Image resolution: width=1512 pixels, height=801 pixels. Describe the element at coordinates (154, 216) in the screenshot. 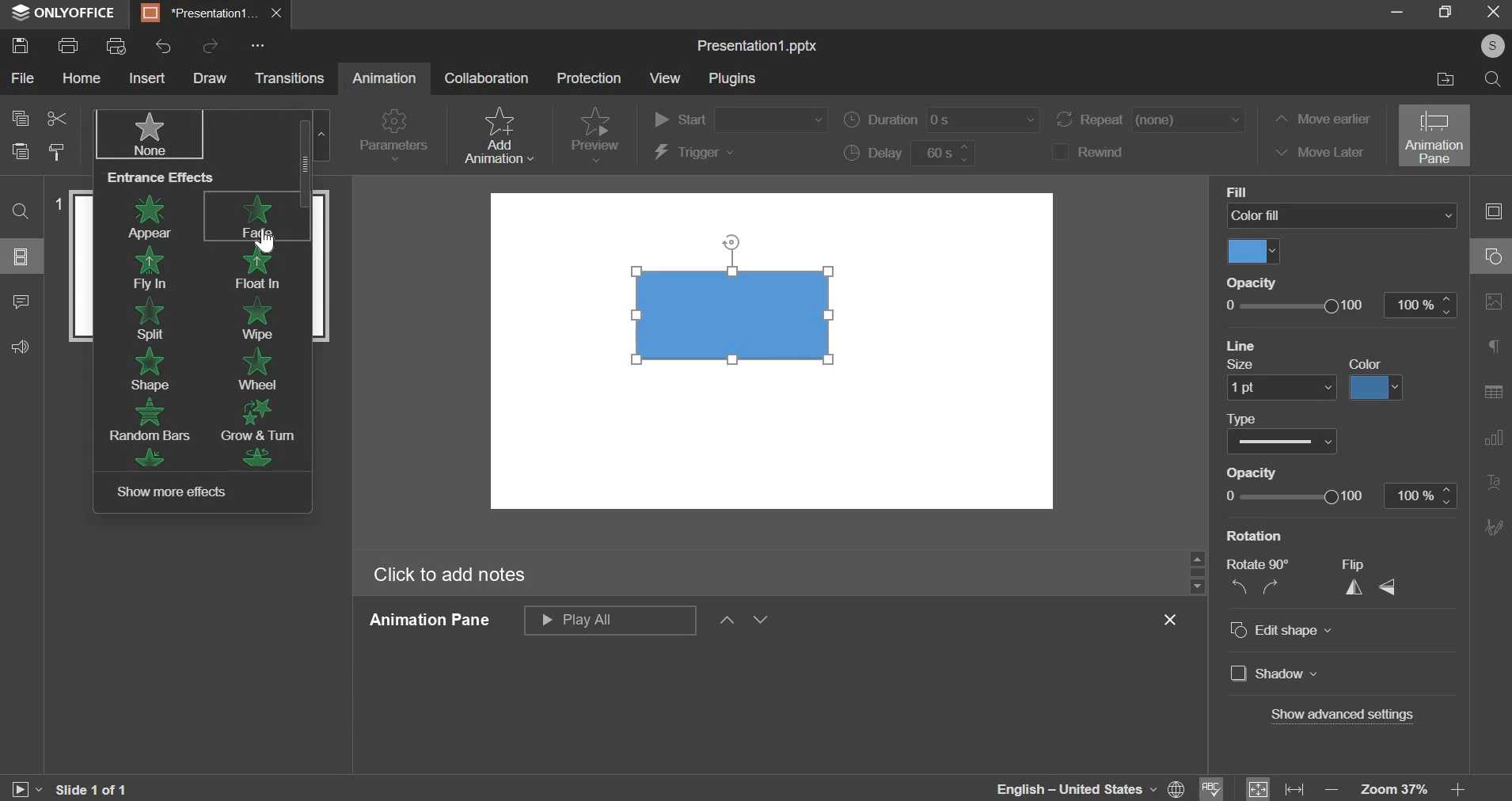

I see `appear` at that location.